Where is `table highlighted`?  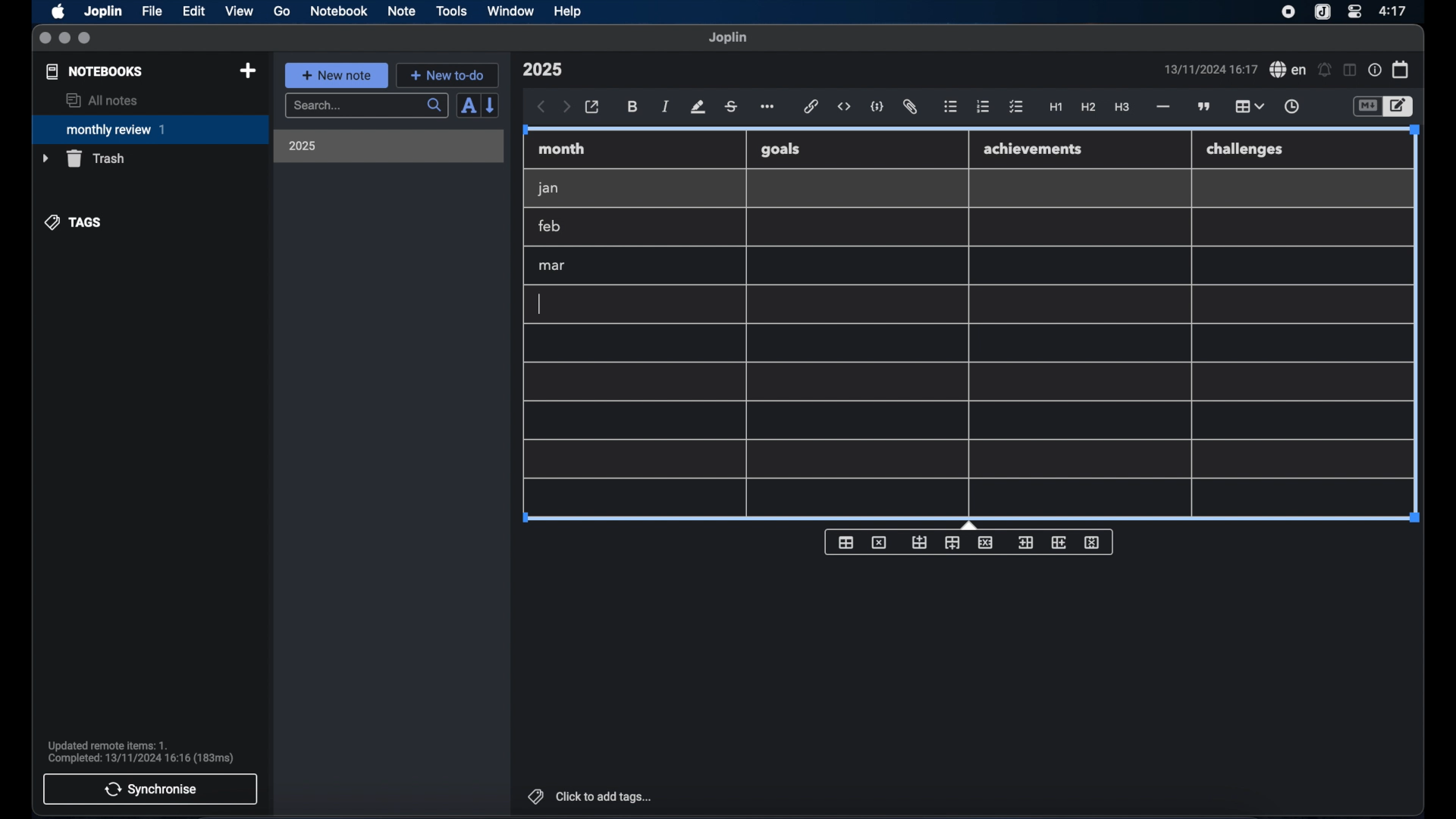 table highlighted is located at coordinates (1247, 106).